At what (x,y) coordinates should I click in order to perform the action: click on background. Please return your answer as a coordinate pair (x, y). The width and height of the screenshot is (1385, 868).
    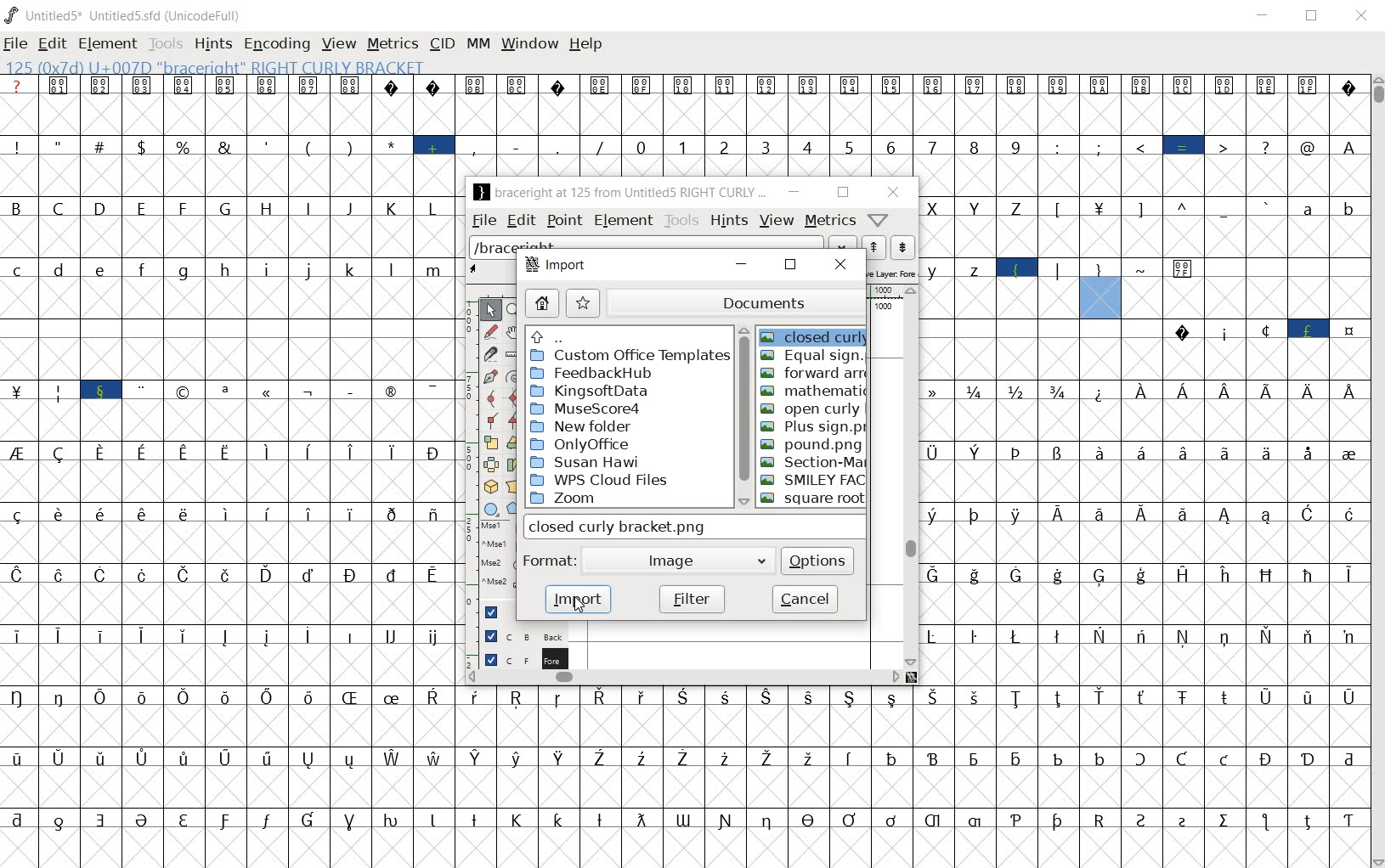
    Looking at the image, I should click on (516, 634).